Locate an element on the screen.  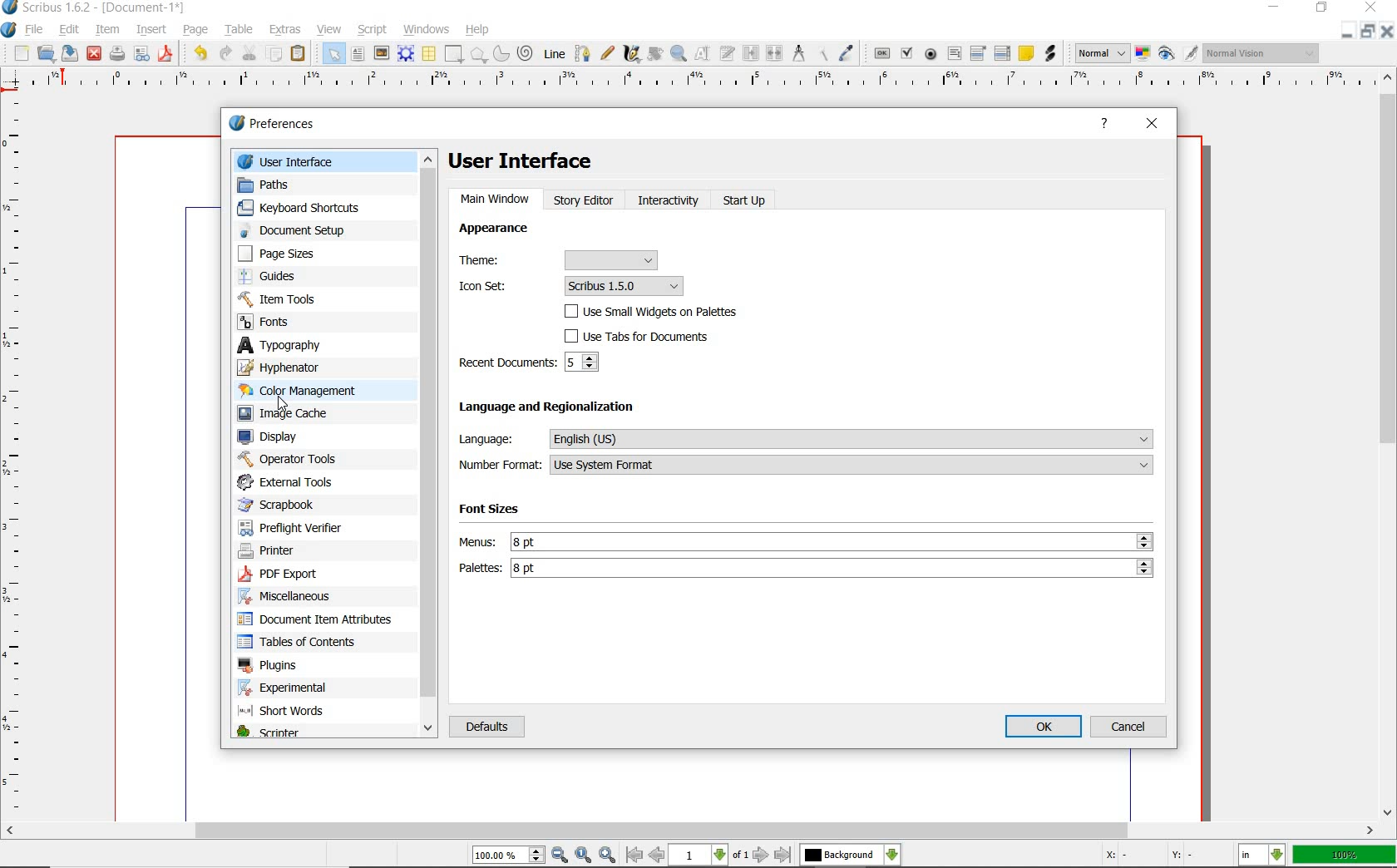
script is located at coordinates (373, 30).